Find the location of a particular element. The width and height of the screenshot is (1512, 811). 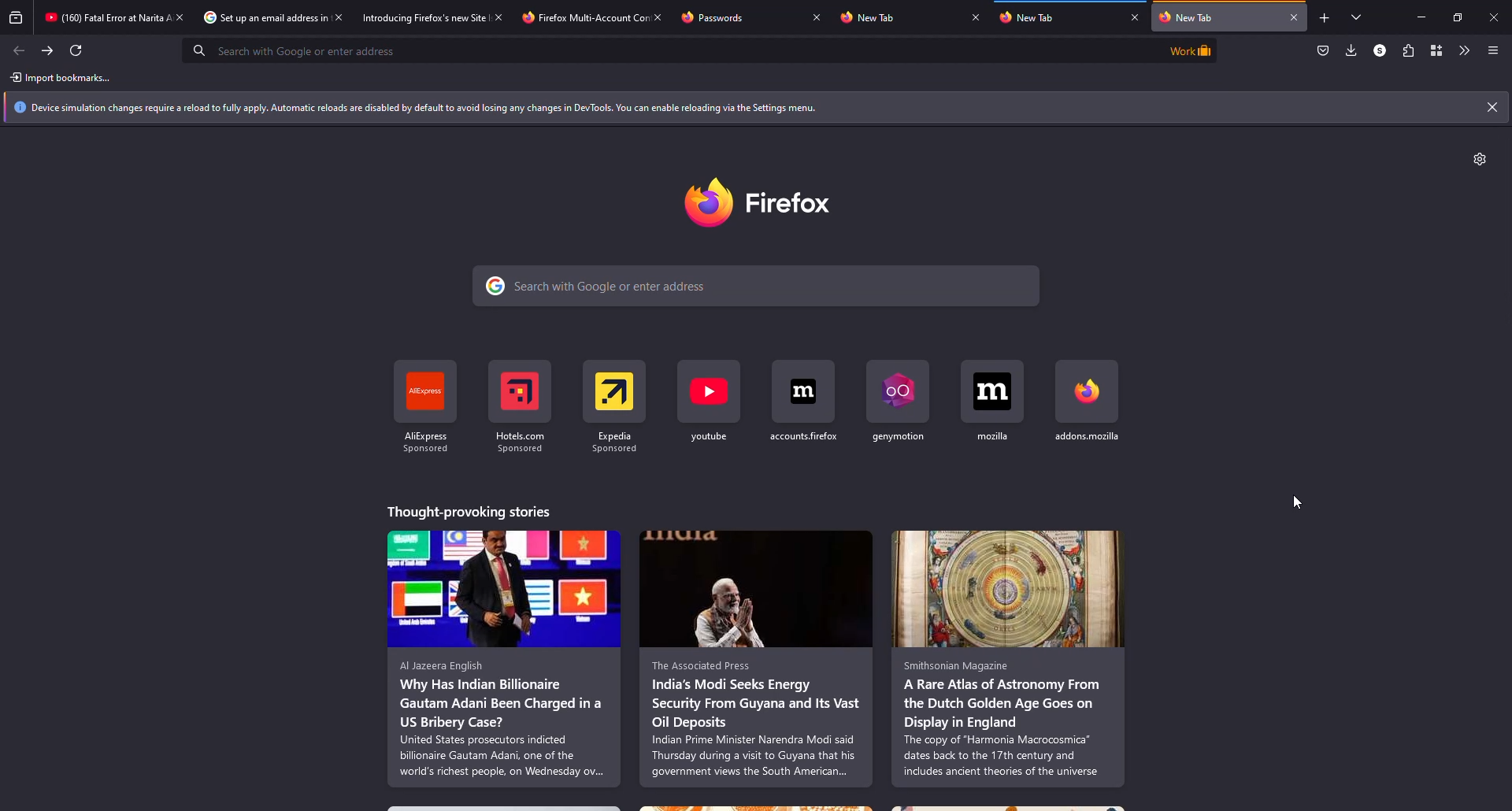

tab is located at coordinates (257, 18).